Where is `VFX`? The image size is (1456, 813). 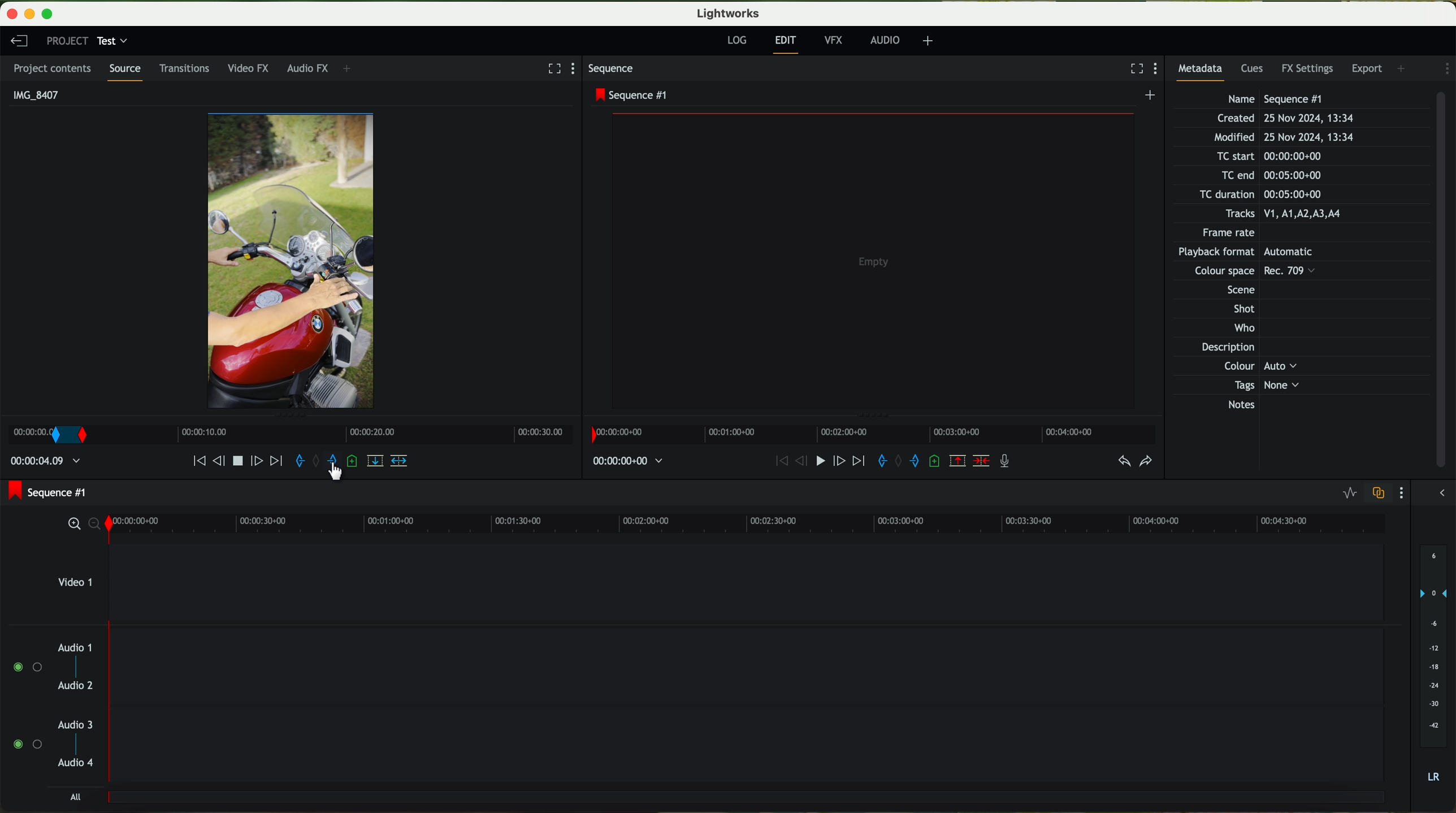
VFX is located at coordinates (836, 42).